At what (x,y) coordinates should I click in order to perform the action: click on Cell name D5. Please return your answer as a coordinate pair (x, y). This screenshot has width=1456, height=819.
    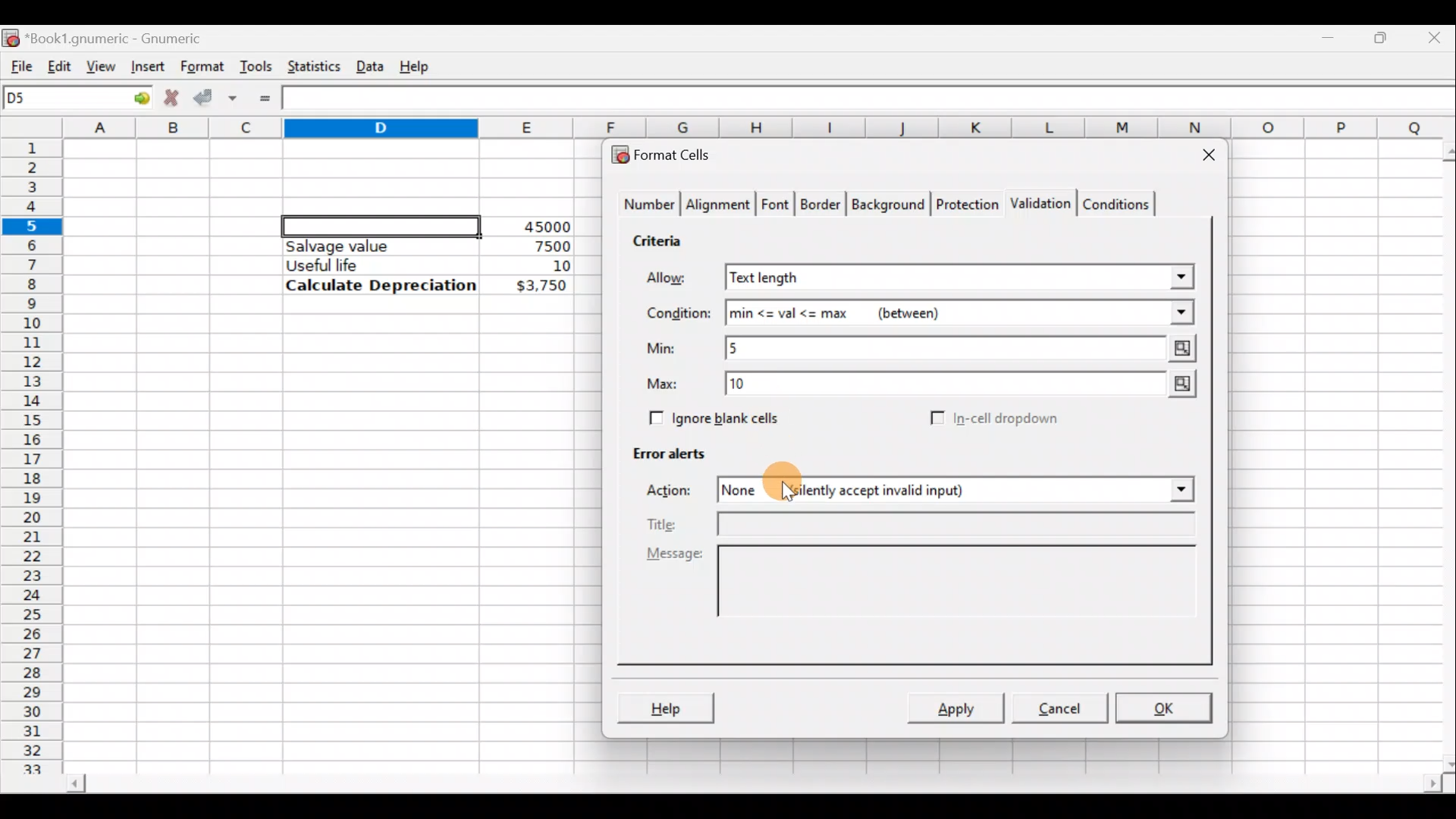
    Looking at the image, I should click on (59, 99).